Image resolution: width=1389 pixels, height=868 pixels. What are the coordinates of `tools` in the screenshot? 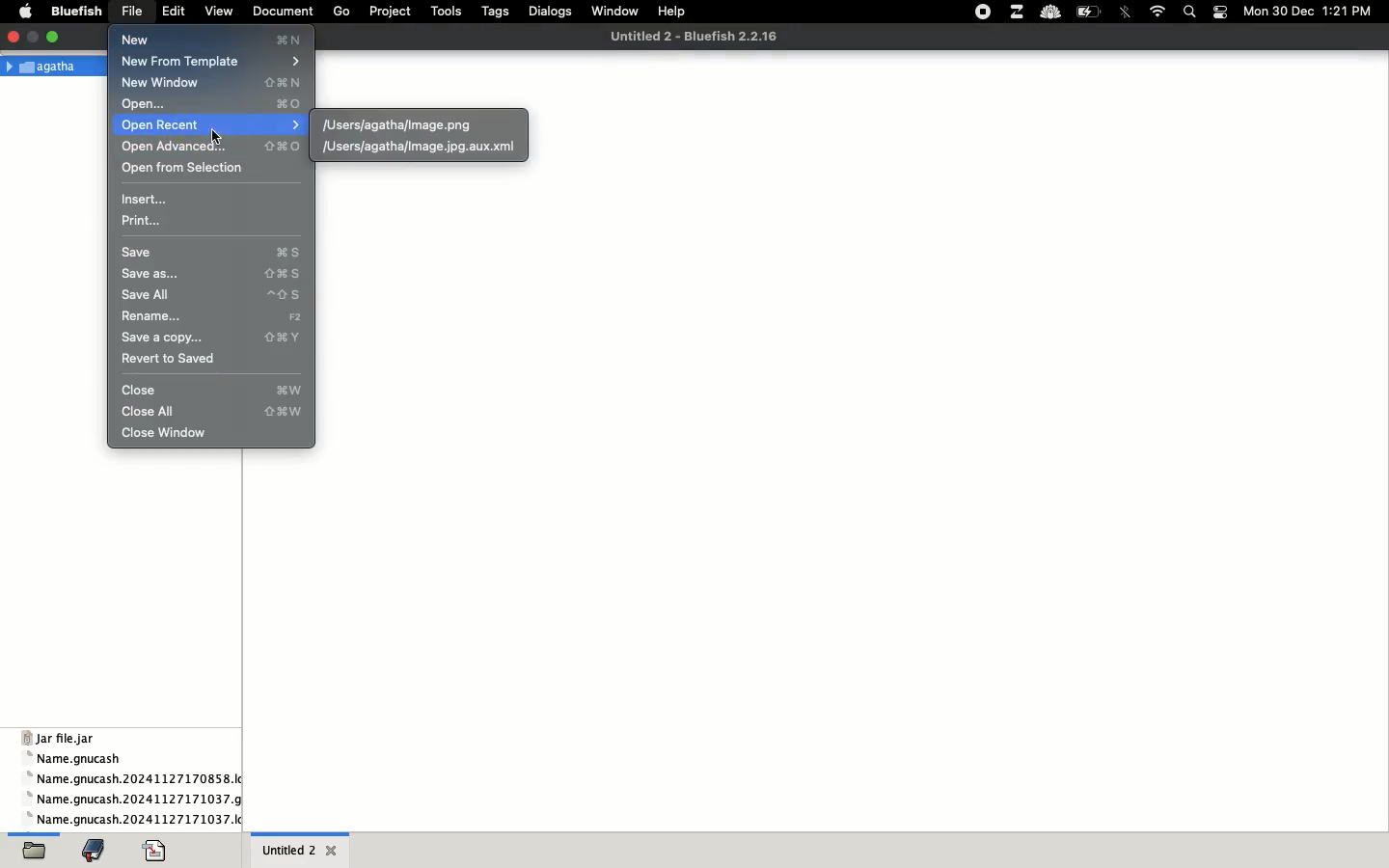 It's located at (449, 11).